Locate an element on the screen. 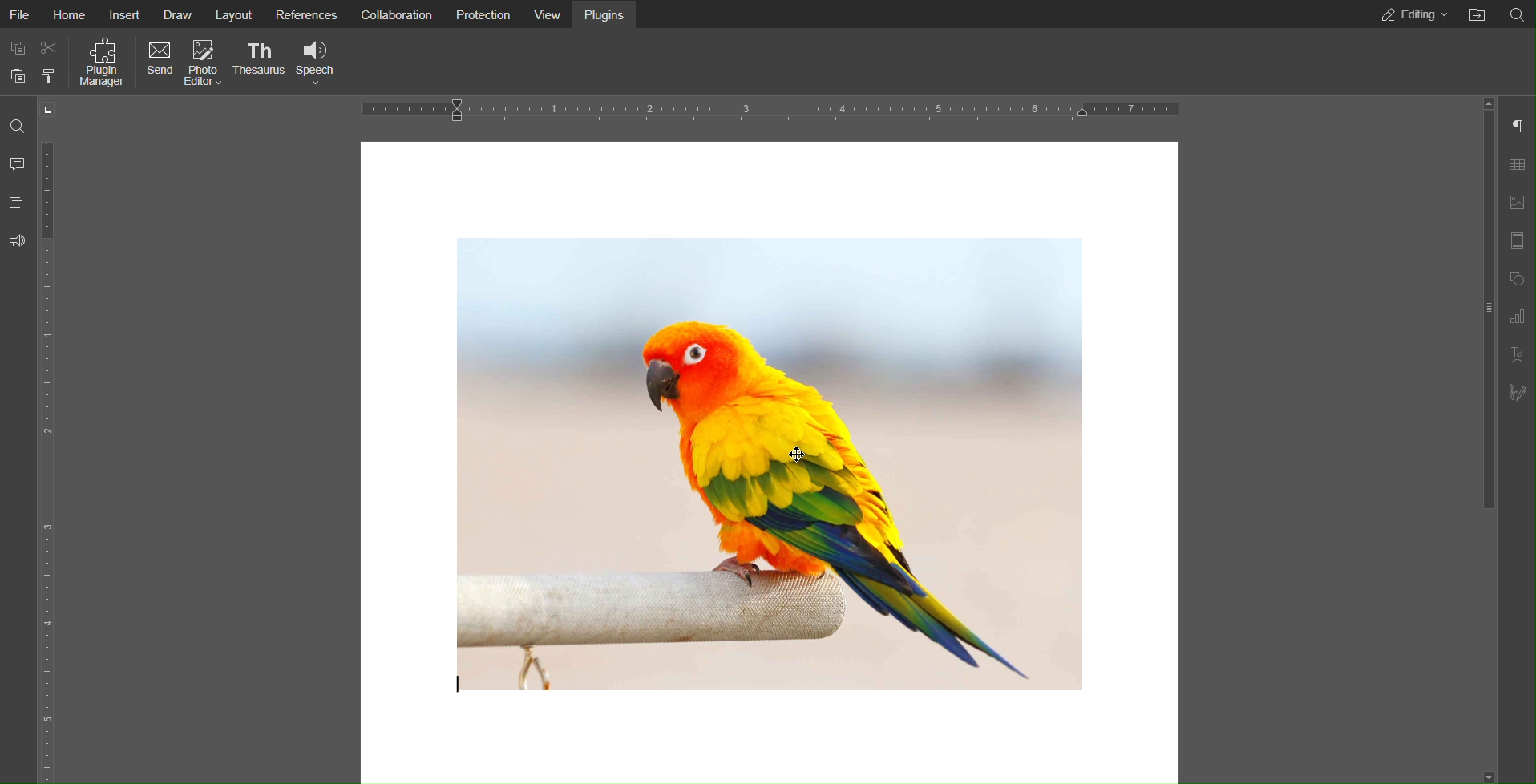  Cursor is located at coordinates (796, 459).